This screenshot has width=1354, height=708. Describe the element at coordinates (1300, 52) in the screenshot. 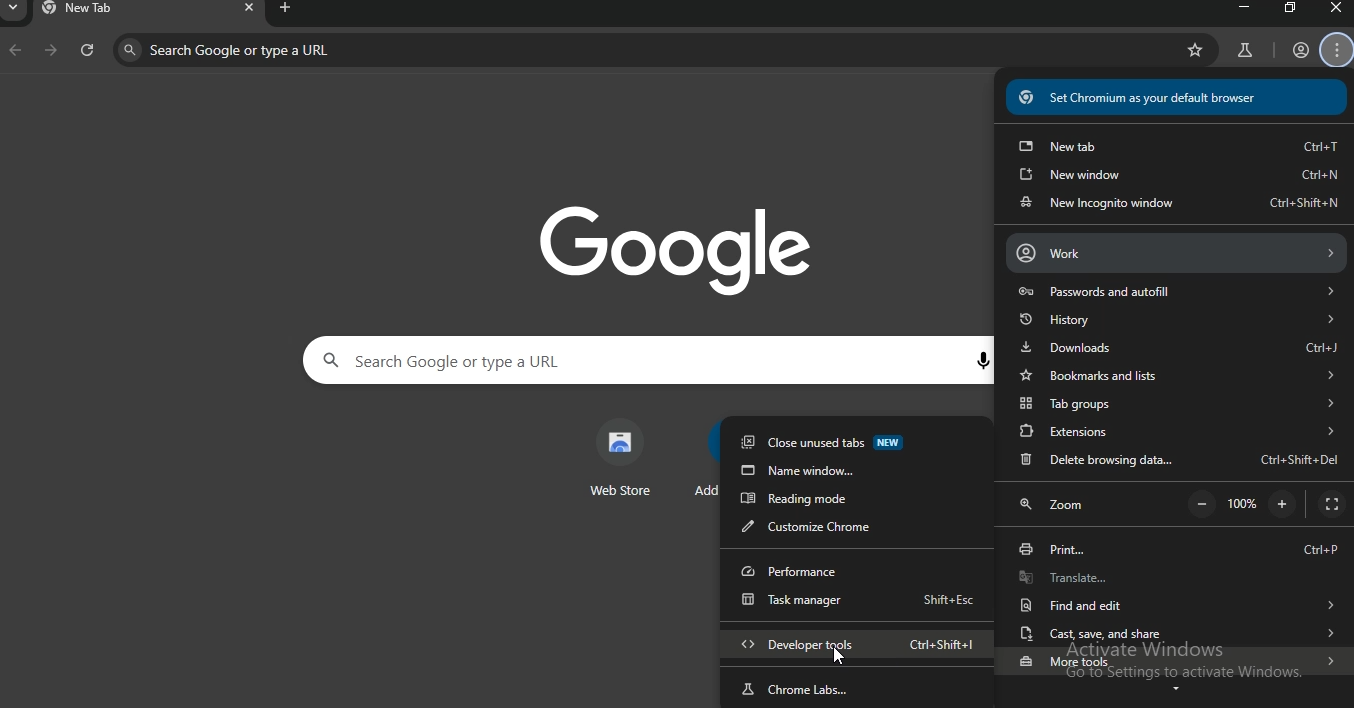

I see `account ` at that location.